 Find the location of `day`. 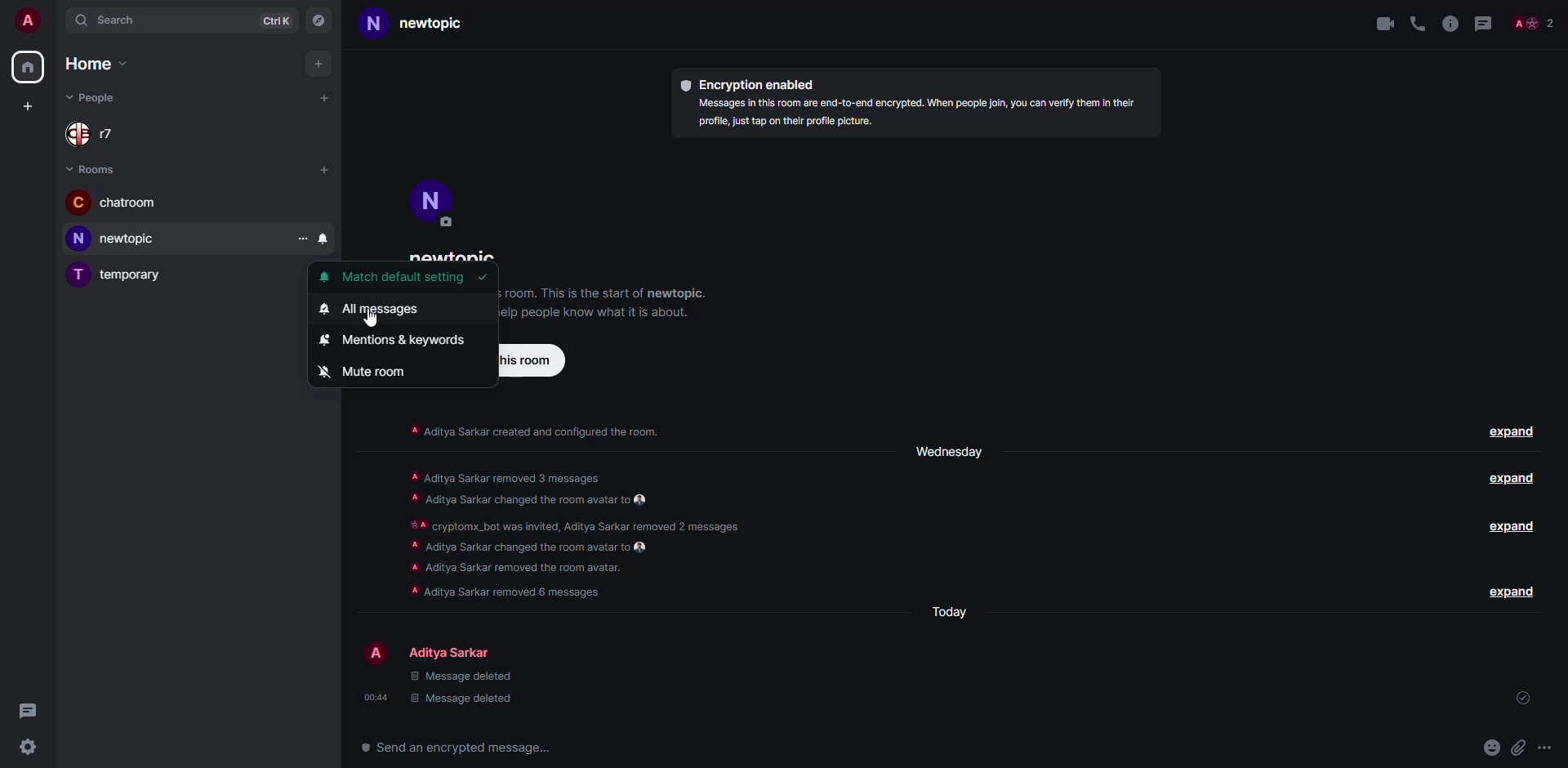

day is located at coordinates (949, 453).